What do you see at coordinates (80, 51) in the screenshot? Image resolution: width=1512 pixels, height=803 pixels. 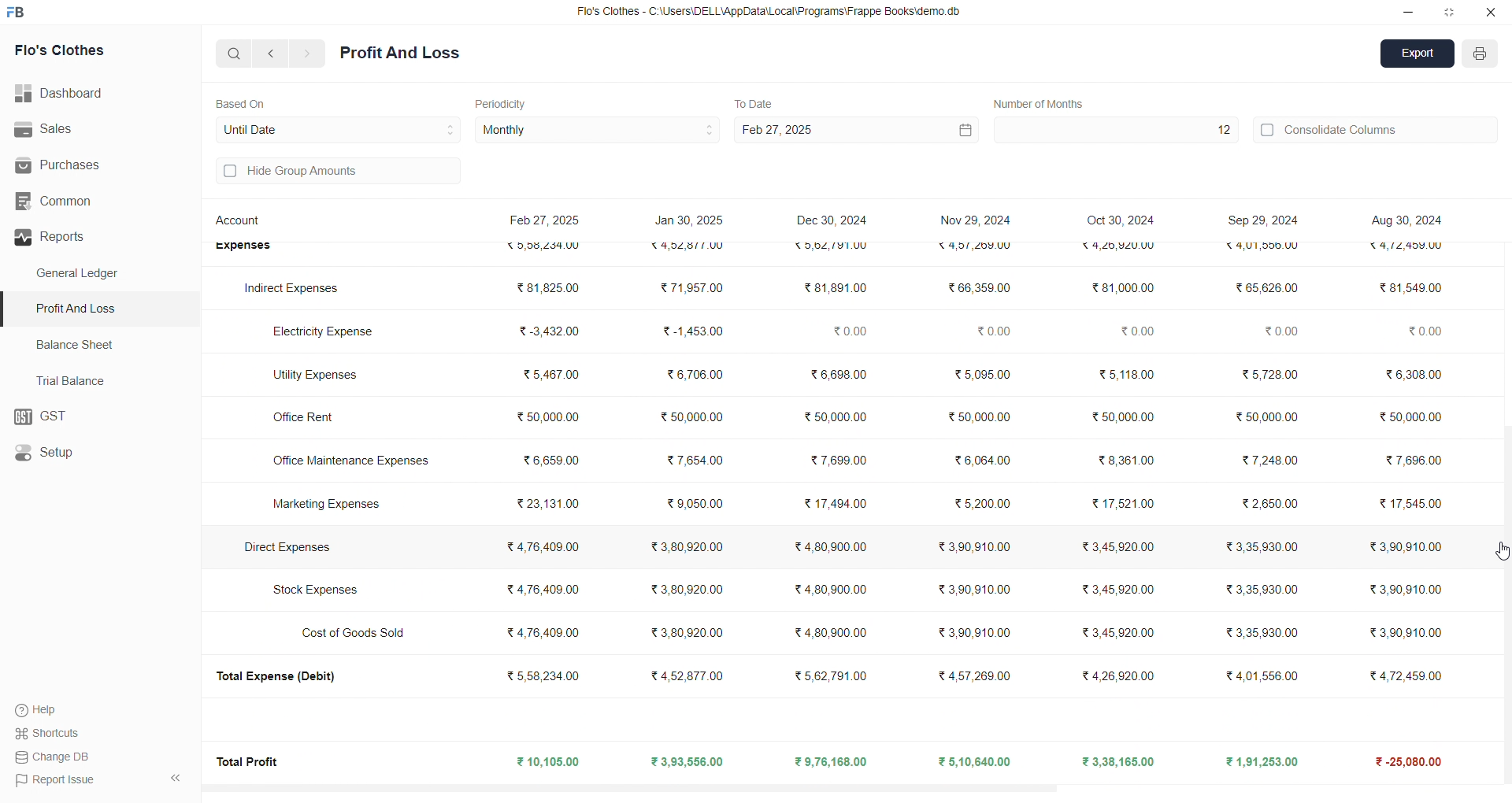 I see `Flo's Clothes` at bounding box center [80, 51].